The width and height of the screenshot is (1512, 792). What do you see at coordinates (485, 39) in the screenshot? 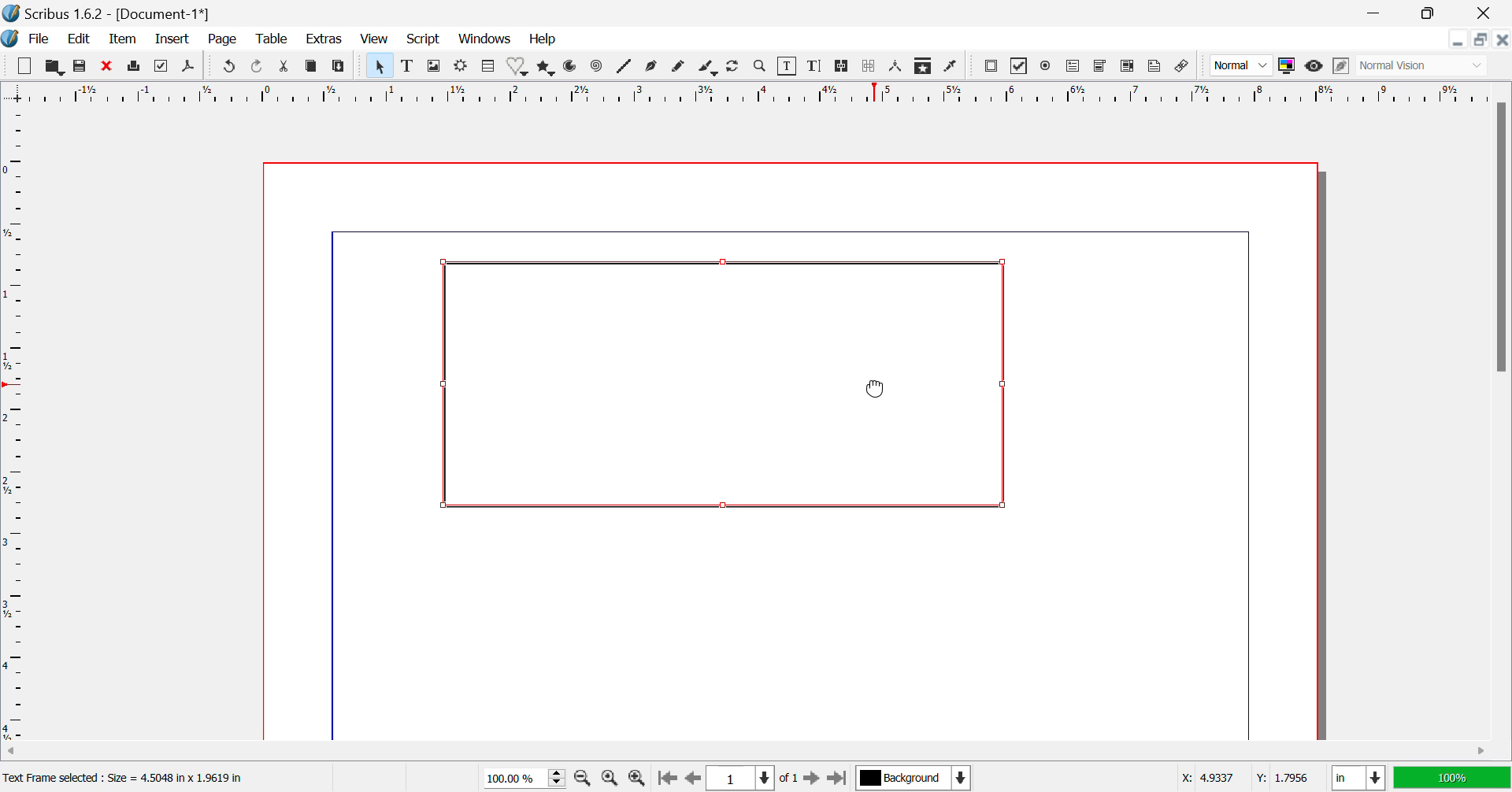
I see `Windows` at bounding box center [485, 39].